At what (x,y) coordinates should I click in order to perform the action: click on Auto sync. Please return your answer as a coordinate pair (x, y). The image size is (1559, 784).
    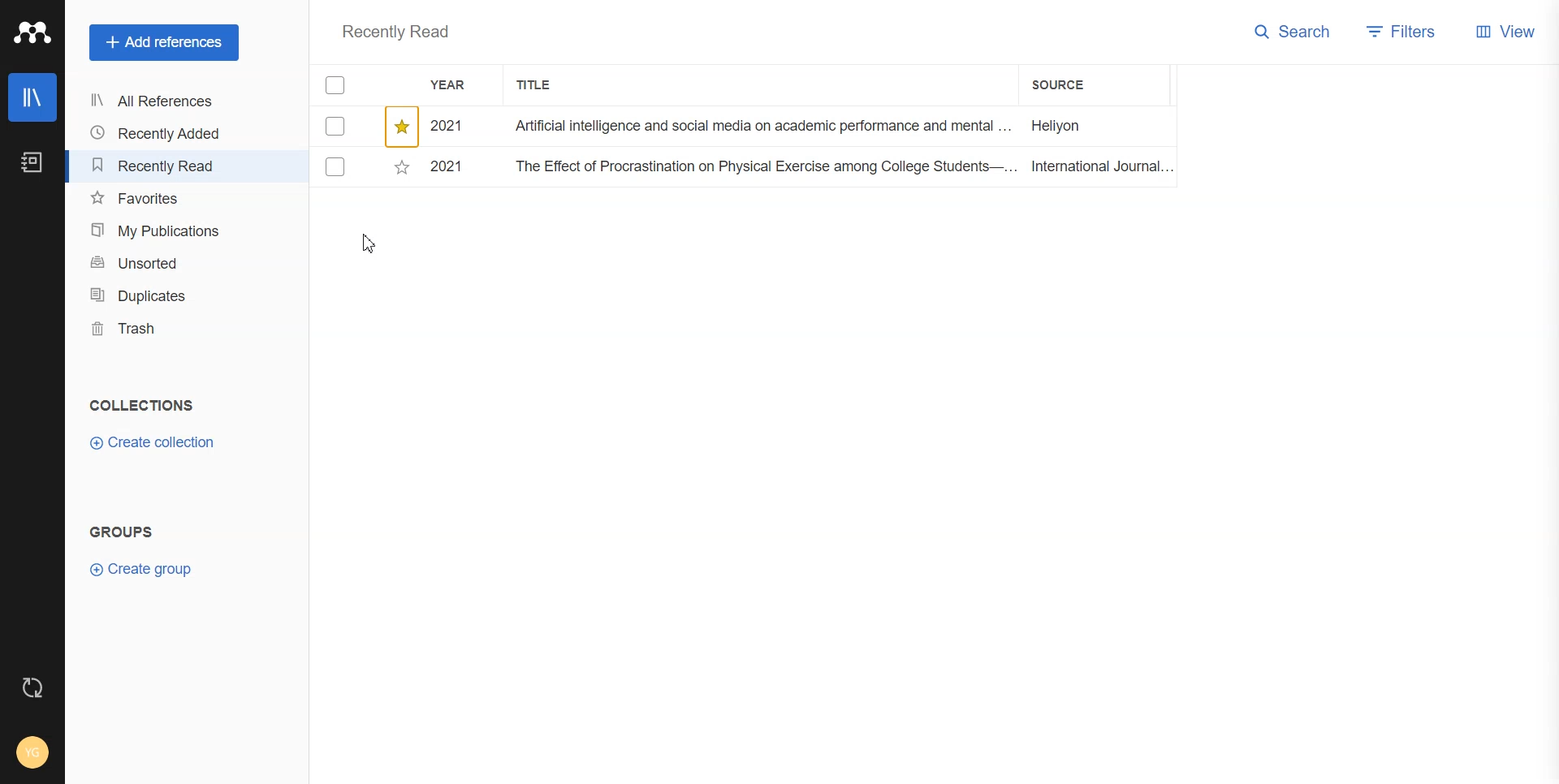
    Looking at the image, I should click on (32, 687).